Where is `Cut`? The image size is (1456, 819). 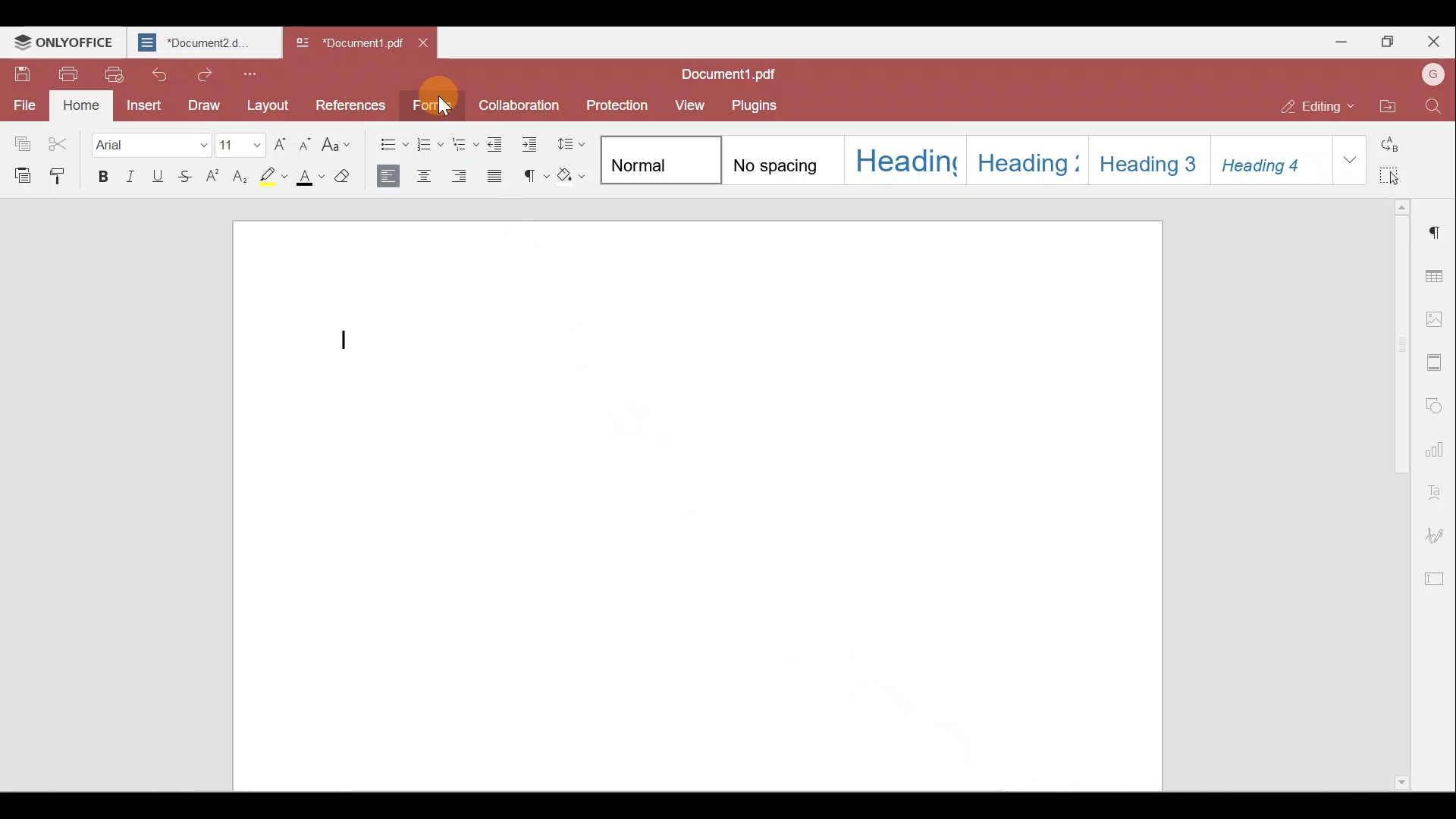
Cut is located at coordinates (64, 140).